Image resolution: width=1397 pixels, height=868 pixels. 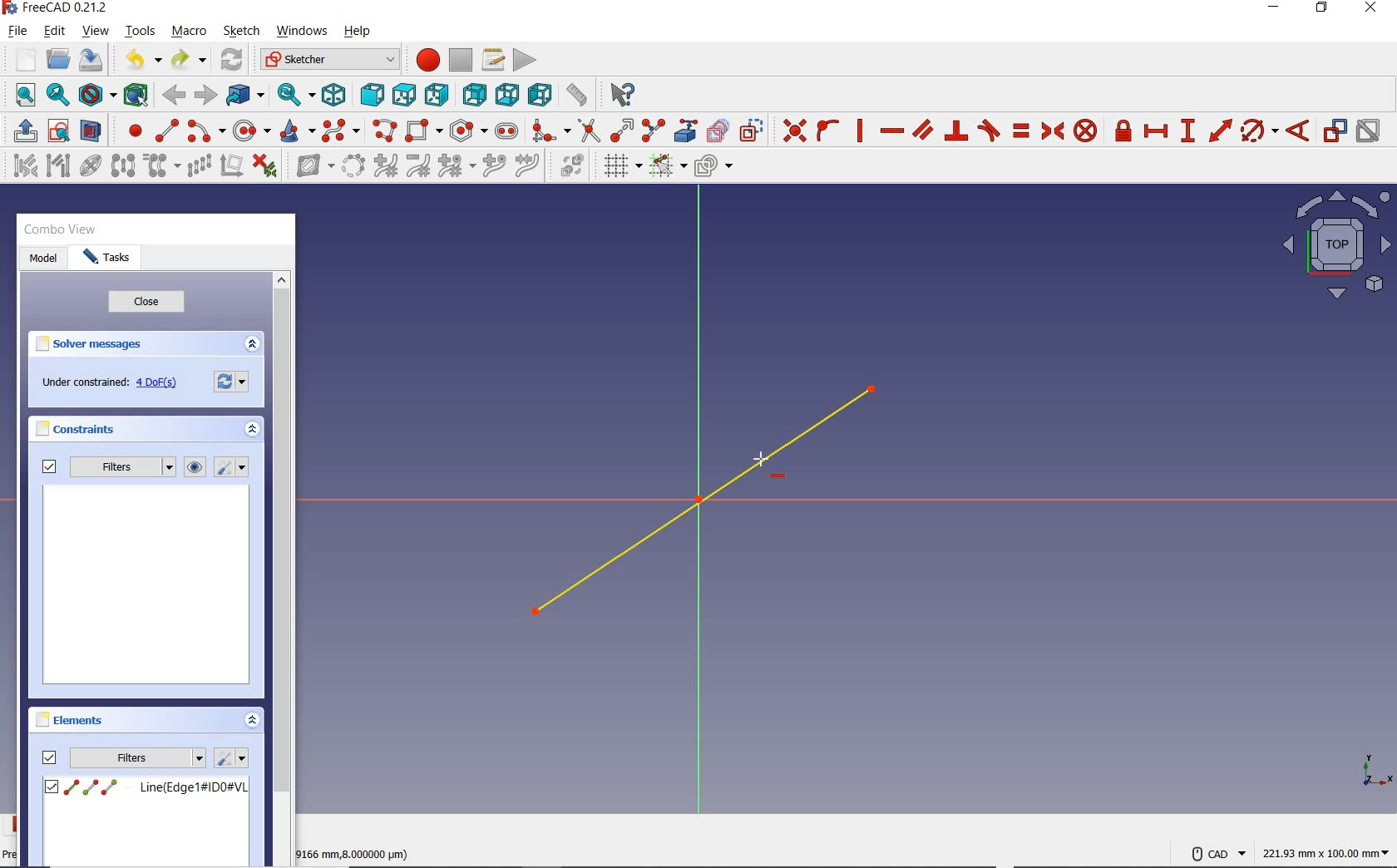 What do you see at coordinates (49, 757) in the screenshot?
I see `CHECK TO TOGGLE FILTERS` at bounding box center [49, 757].